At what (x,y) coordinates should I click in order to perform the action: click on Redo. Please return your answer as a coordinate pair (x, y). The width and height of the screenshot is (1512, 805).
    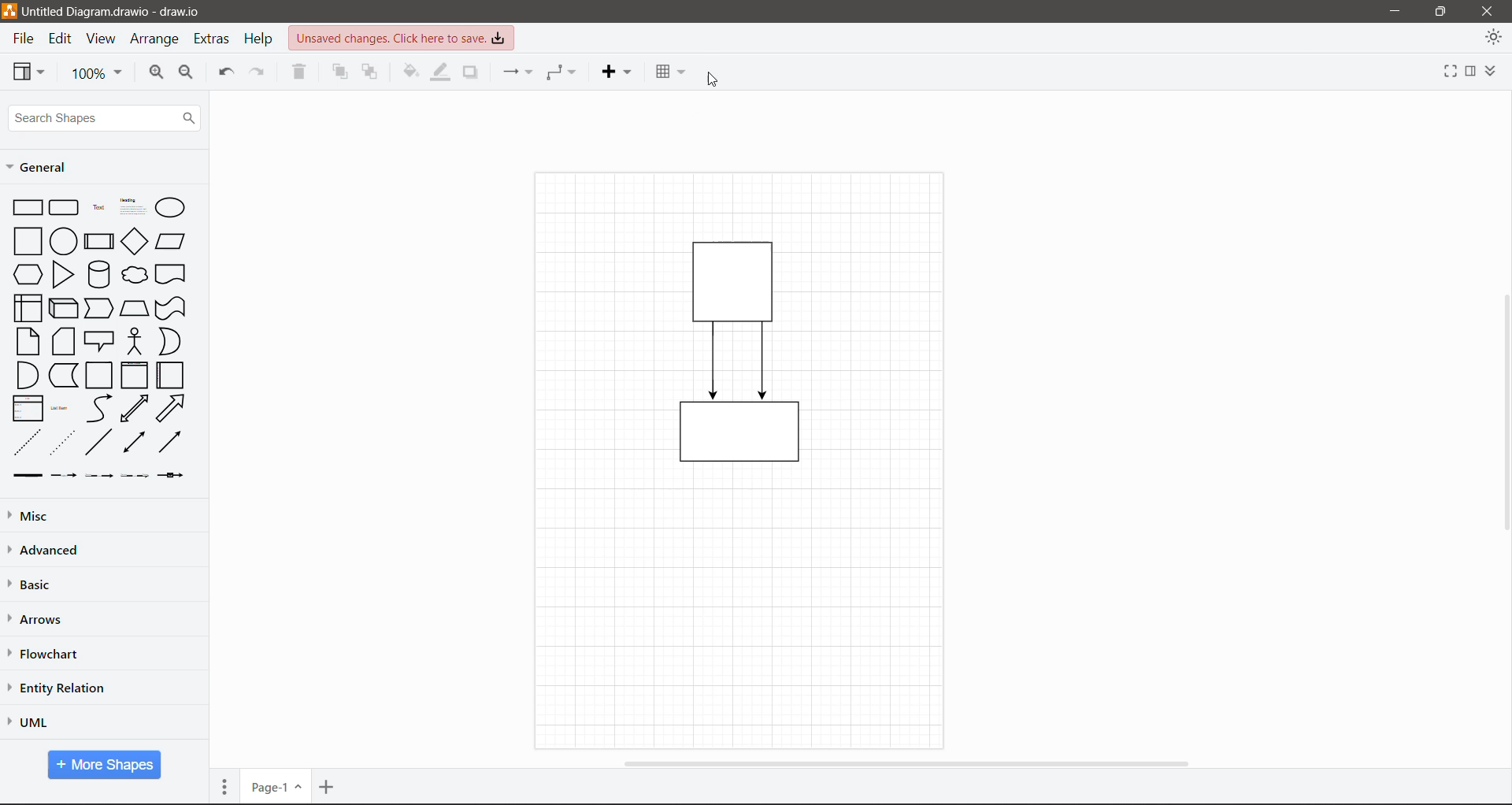
    Looking at the image, I should click on (261, 73).